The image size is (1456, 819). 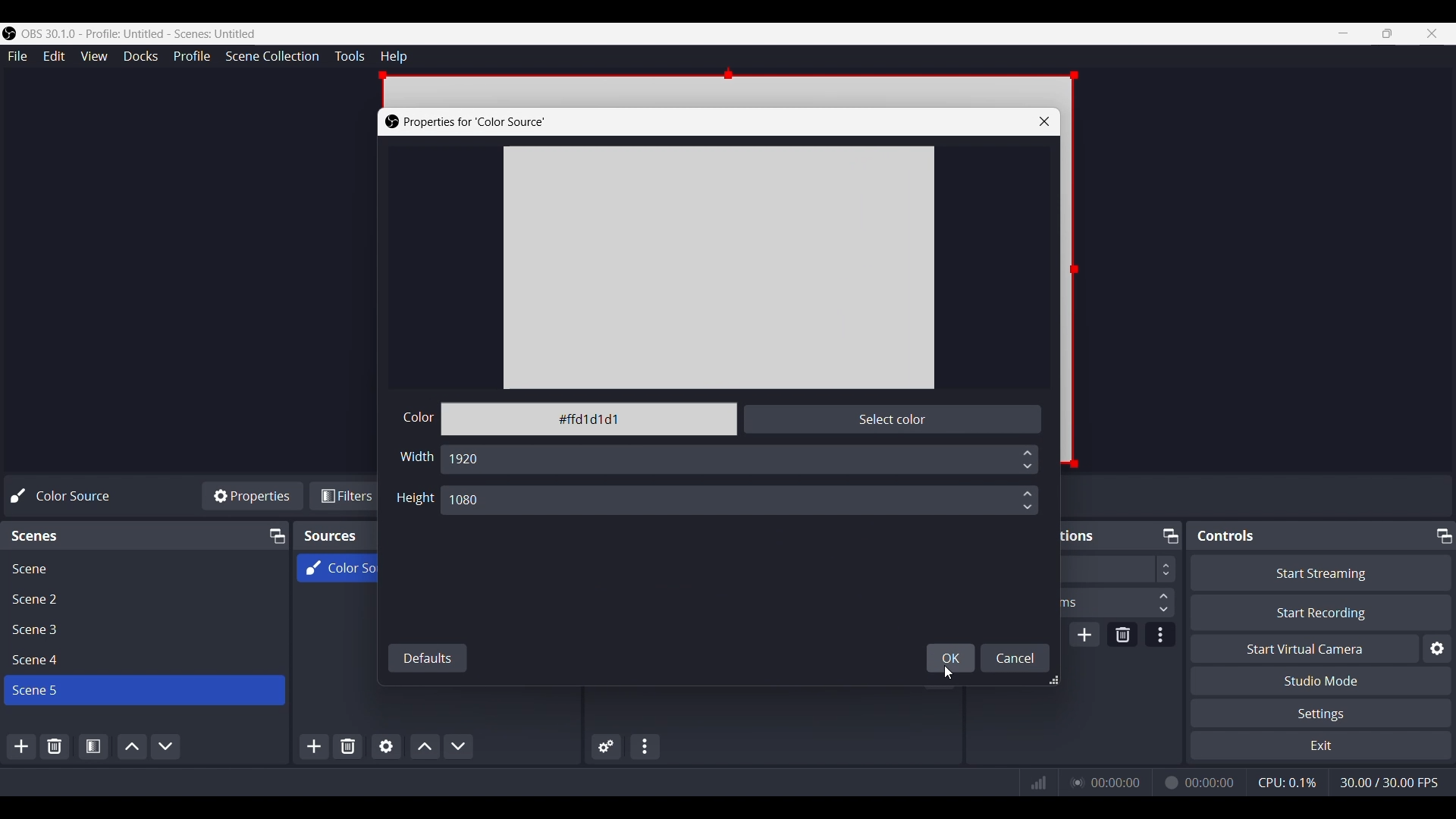 I want to click on Studio Mode, so click(x=1322, y=680).